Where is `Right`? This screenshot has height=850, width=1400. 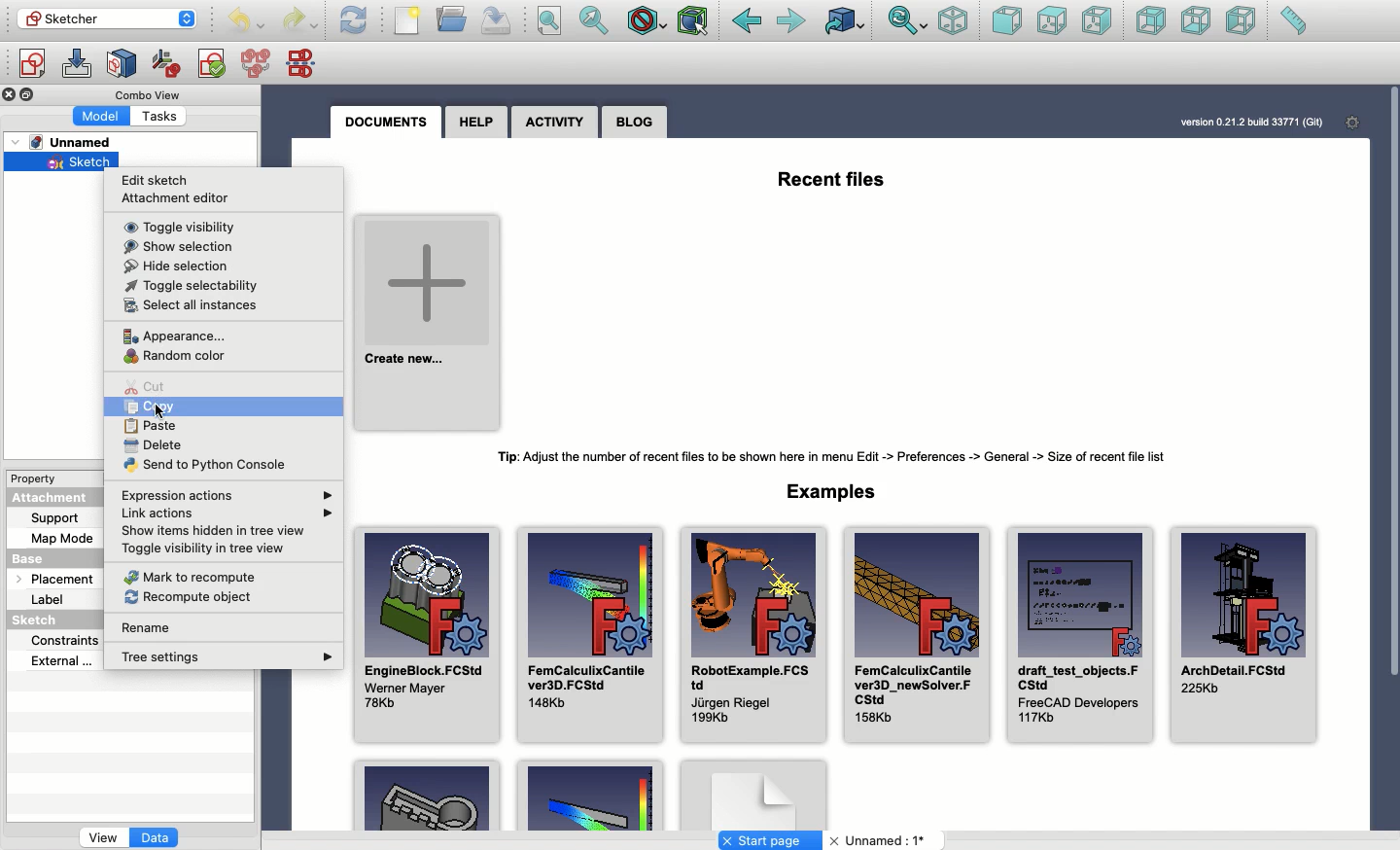 Right is located at coordinates (1096, 20).